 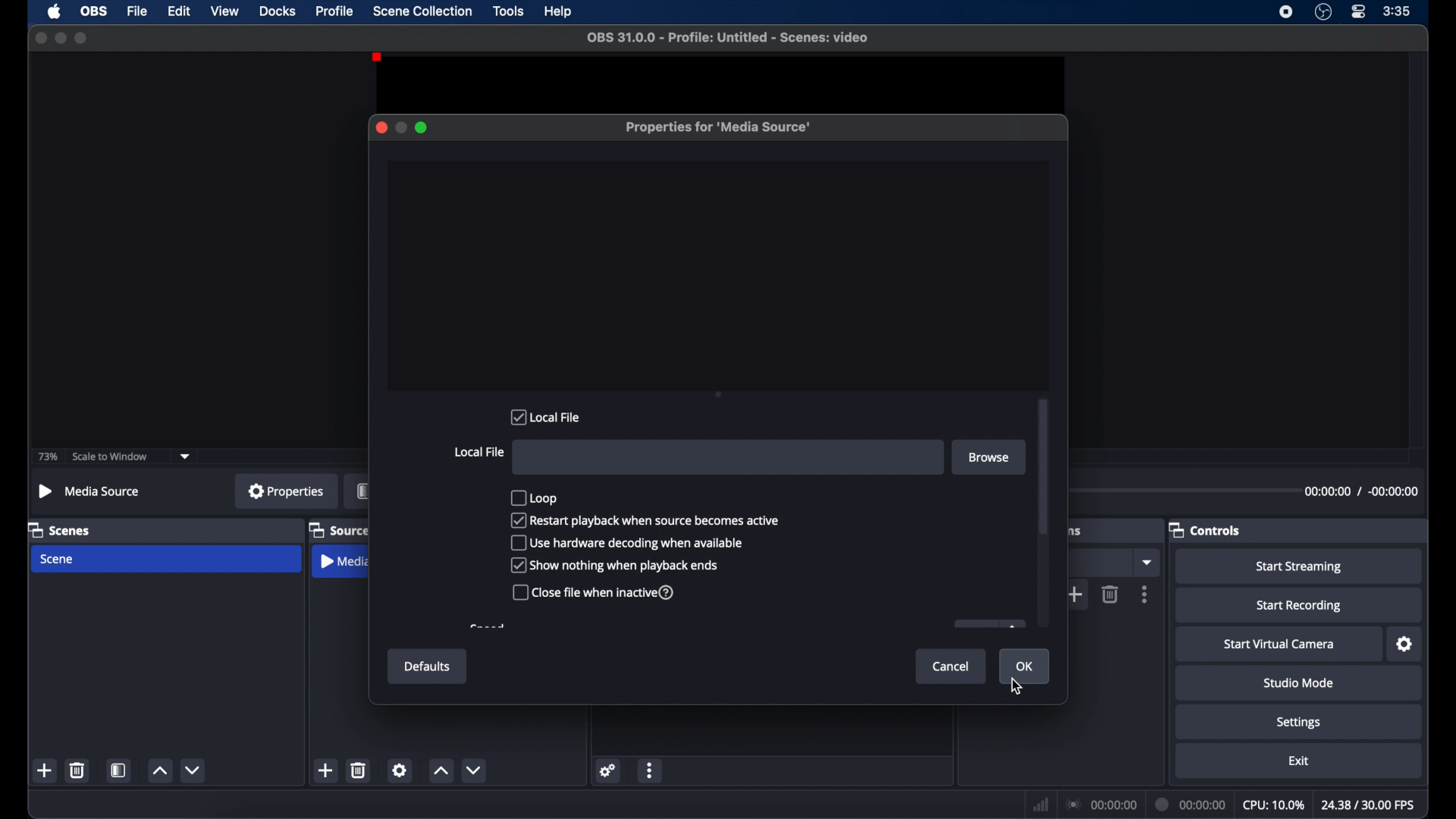 I want to click on properties for media source, so click(x=716, y=127).